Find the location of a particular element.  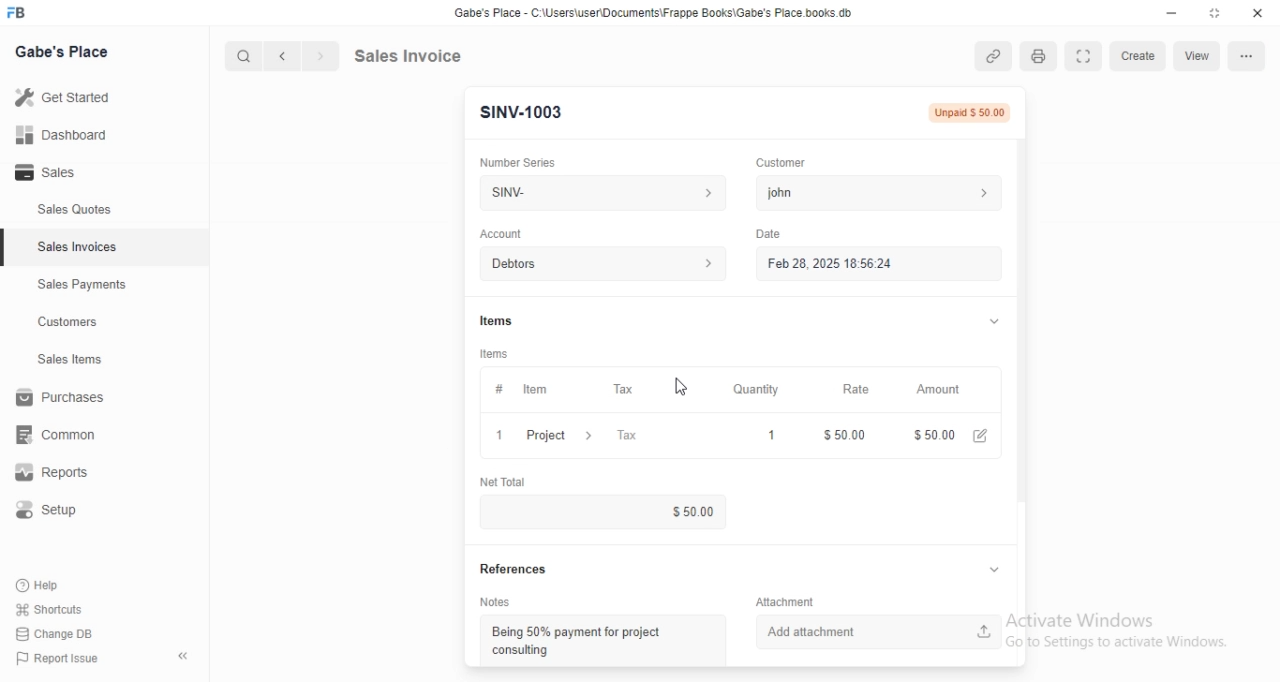

Submit is located at coordinates (1193, 55).